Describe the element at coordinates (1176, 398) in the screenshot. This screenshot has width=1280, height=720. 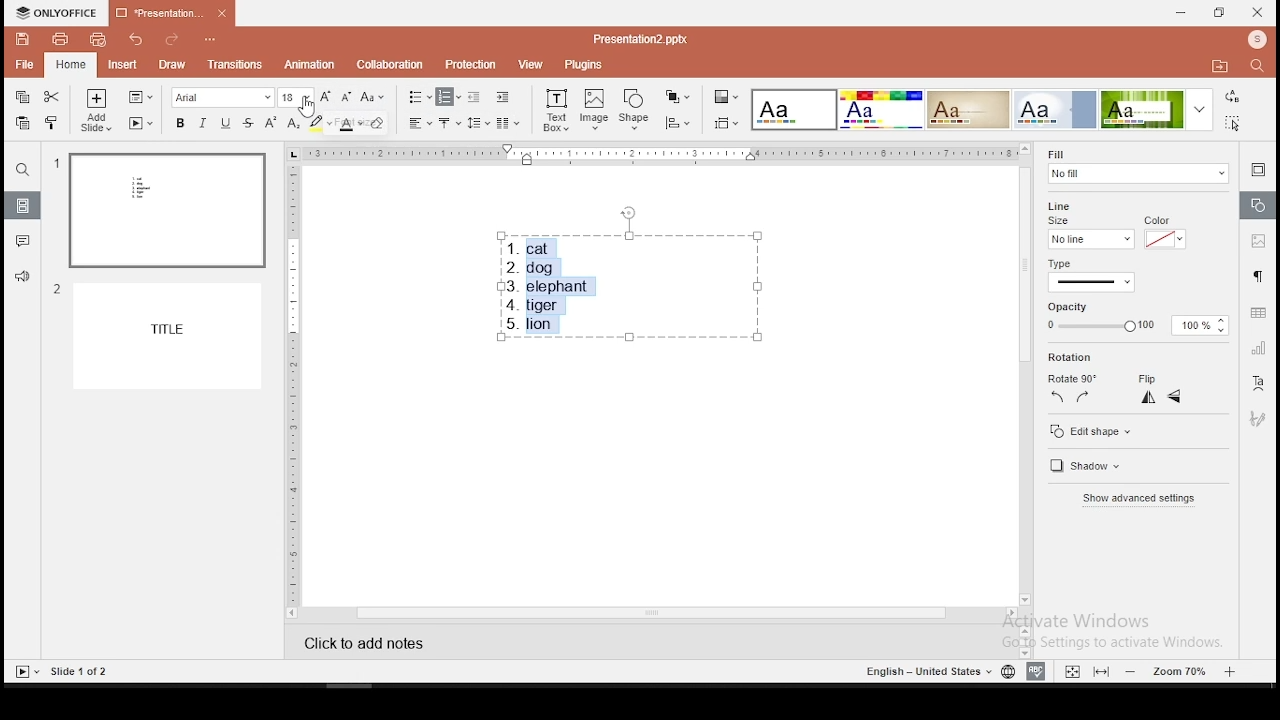
I see `horizontal` at that location.